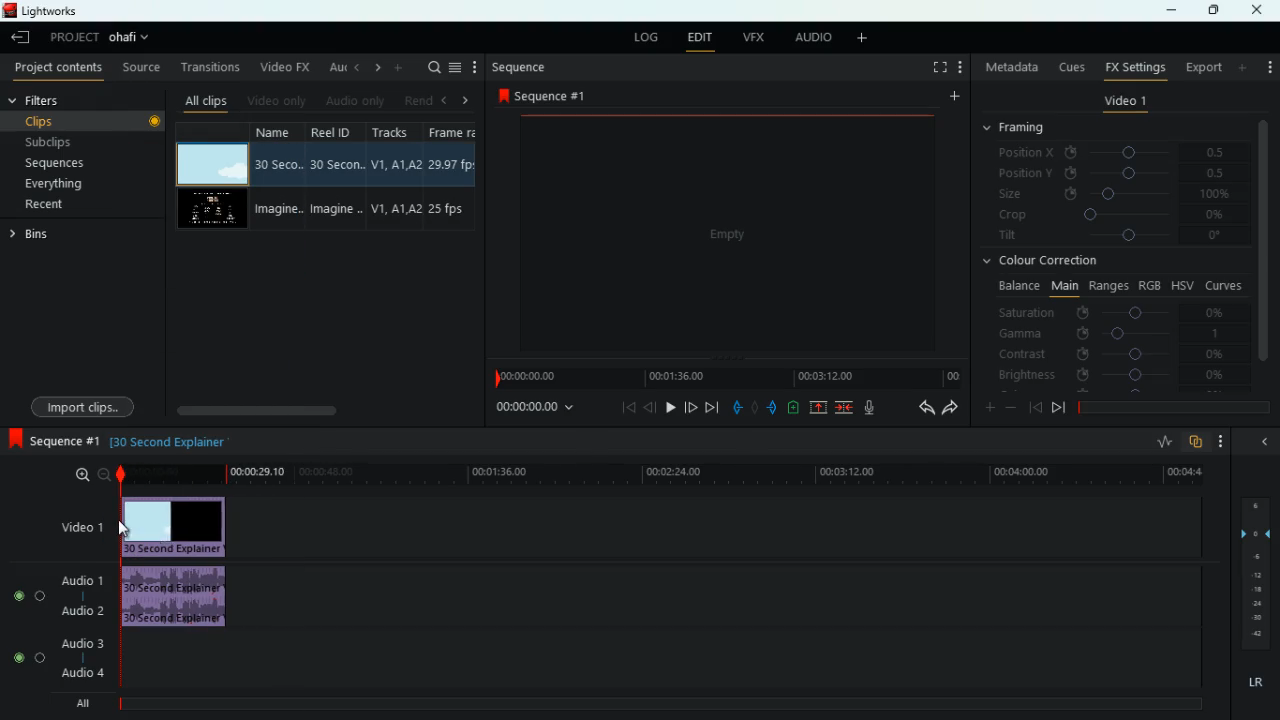  Describe the element at coordinates (214, 164) in the screenshot. I see `video` at that location.